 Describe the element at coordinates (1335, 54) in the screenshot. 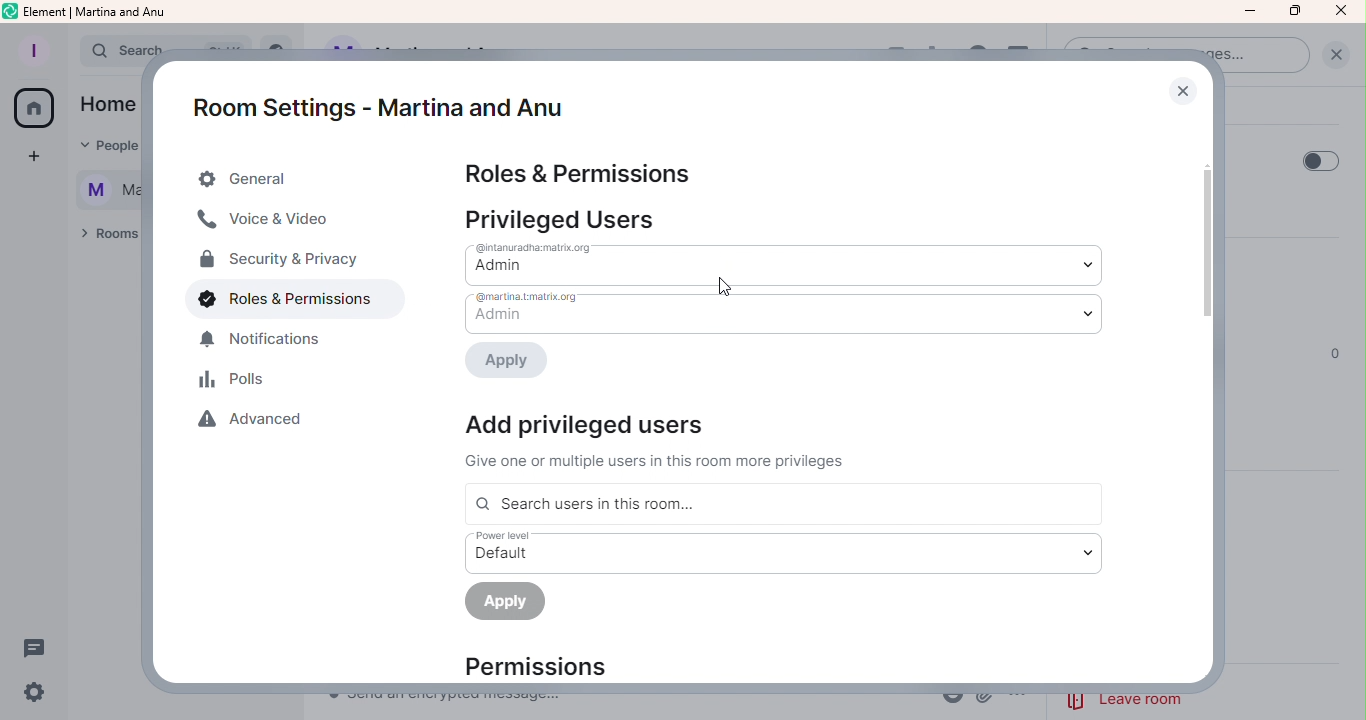

I see `Clear Search` at that location.